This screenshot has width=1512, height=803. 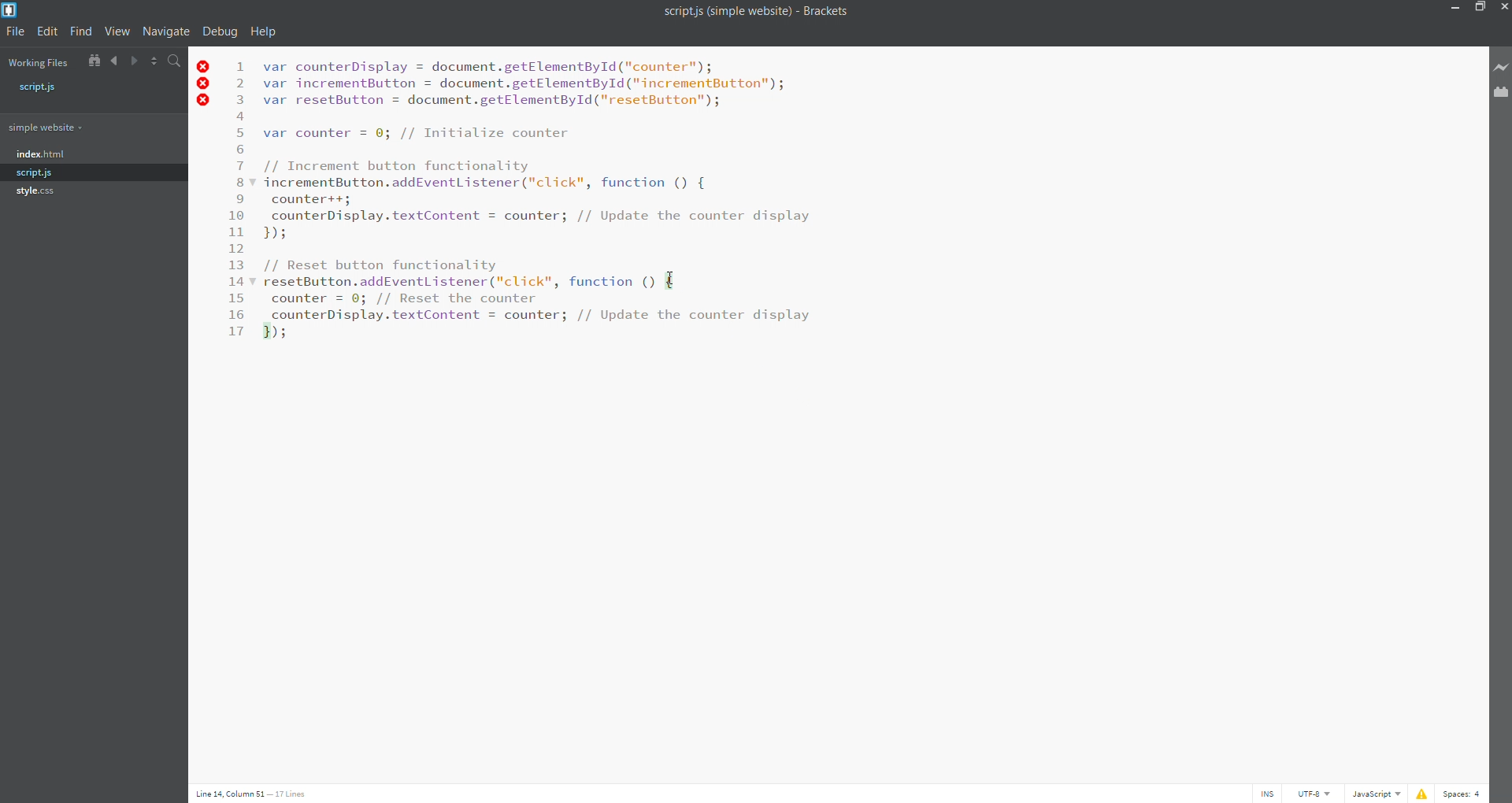 What do you see at coordinates (220, 31) in the screenshot?
I see `debug` at bounding box center [220, 31].